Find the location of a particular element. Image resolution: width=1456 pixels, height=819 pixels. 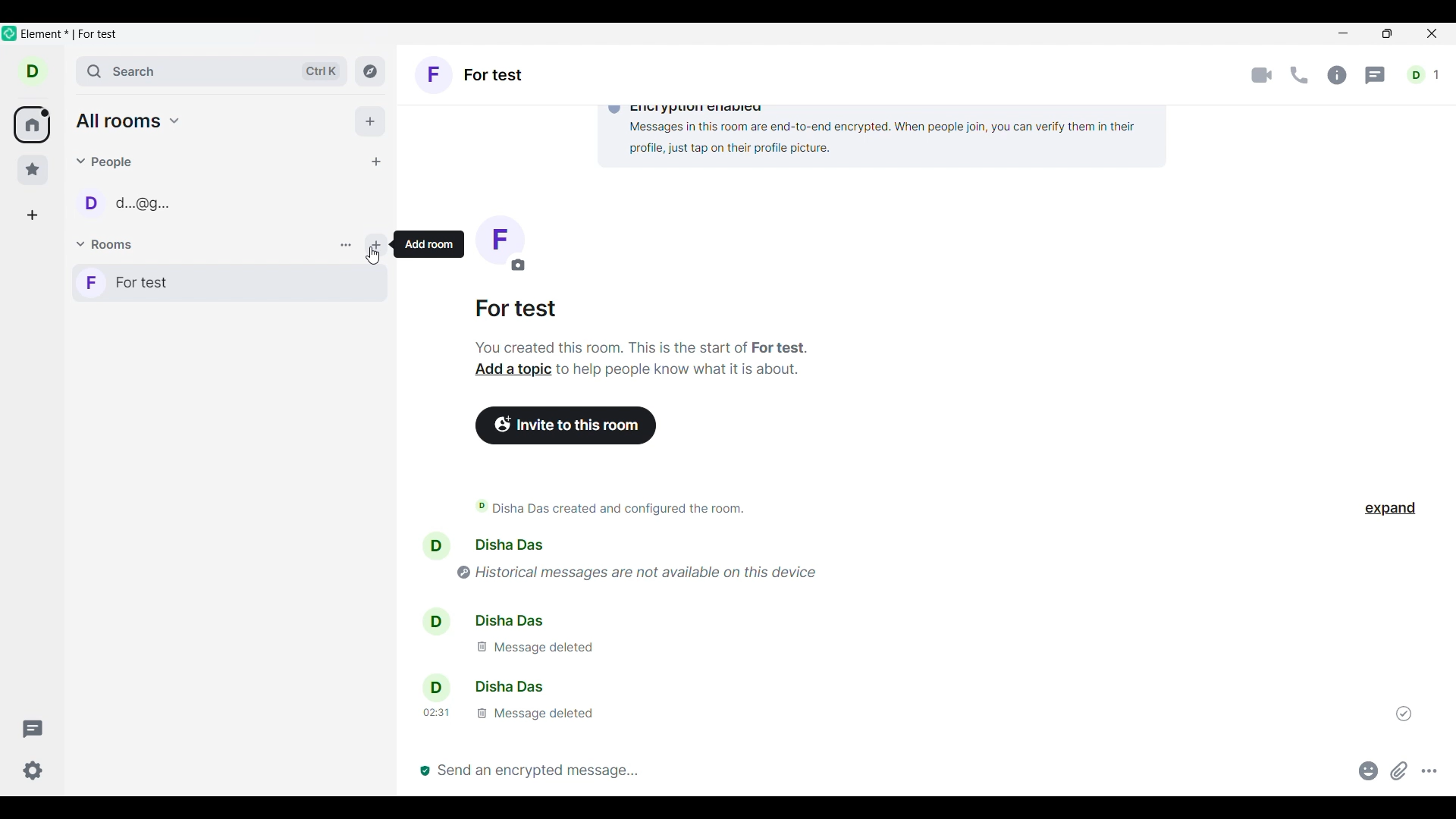

element for test is located at coordinates (68, 34).